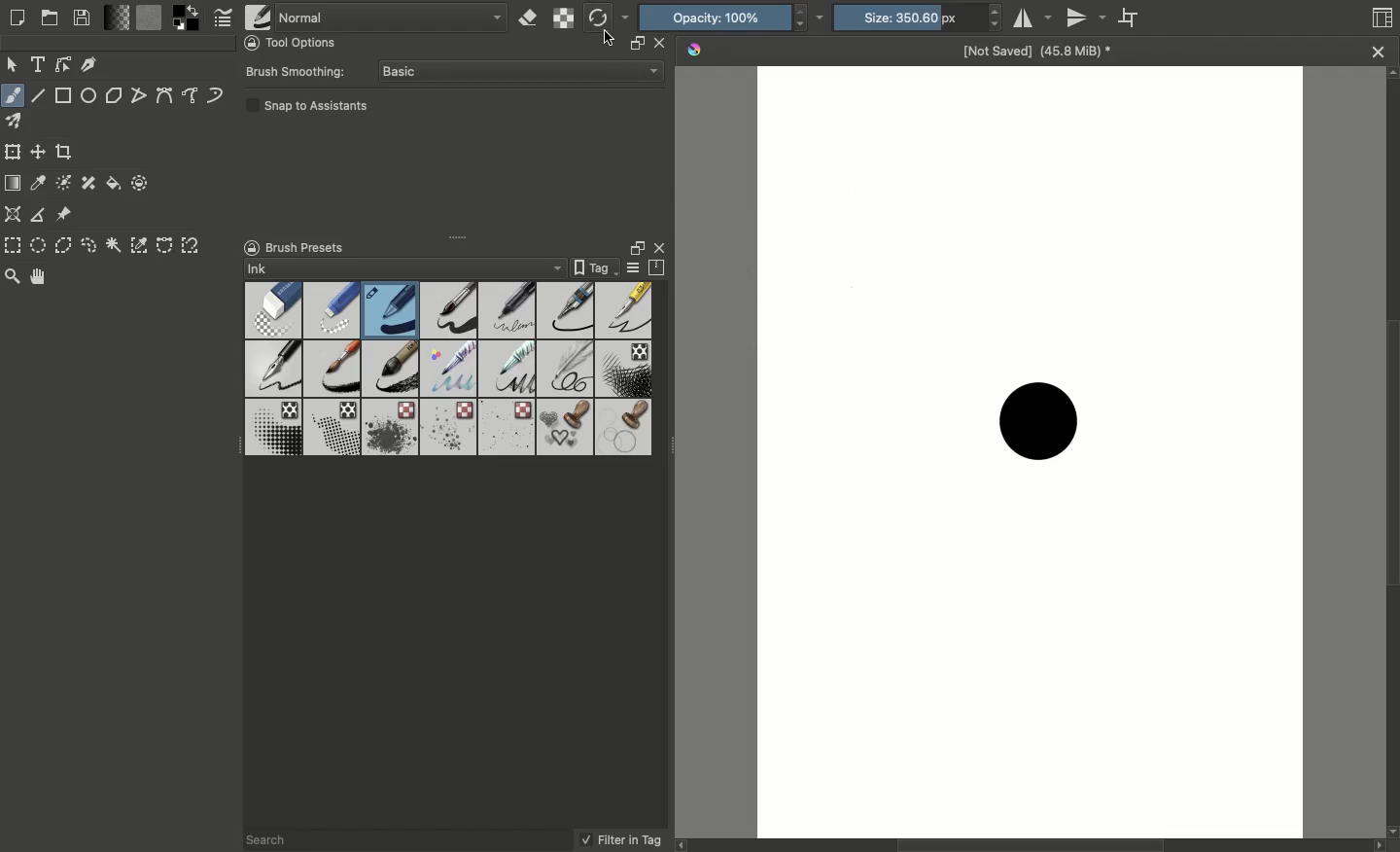 Image resolution: width=1400 pixels, height=852 pixels. Describe the element at coordinates (1039, 418) in the screenshot. I see `Brush stroke` at that location.